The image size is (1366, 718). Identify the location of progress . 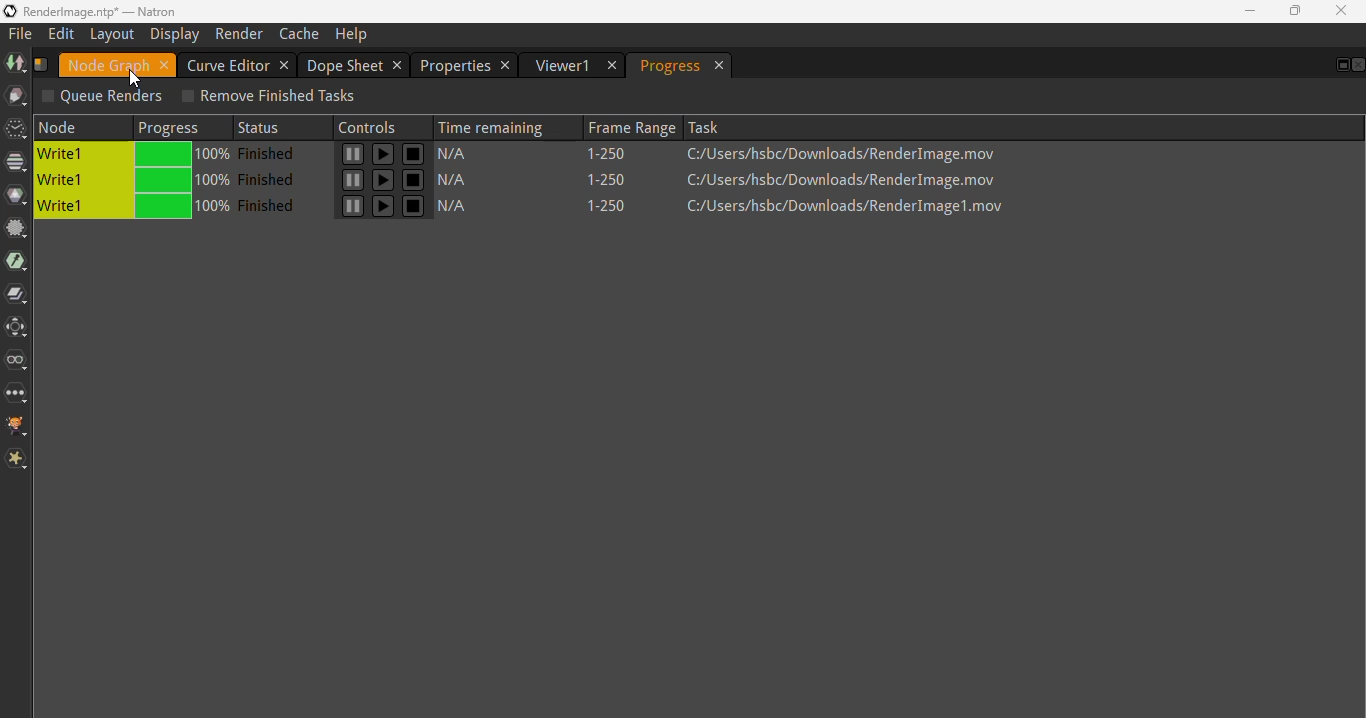
(181, 156).